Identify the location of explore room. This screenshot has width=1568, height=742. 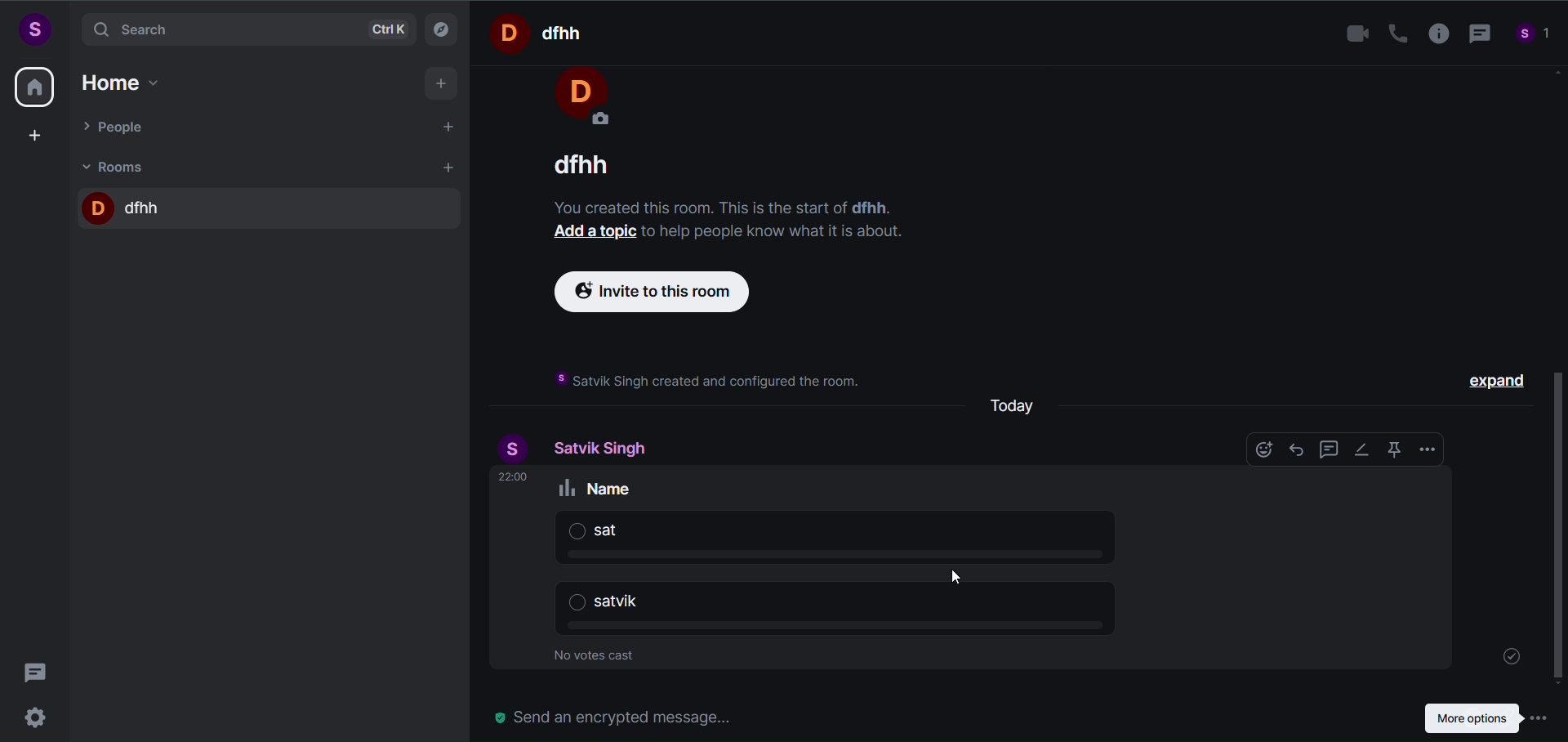
(443, 28).